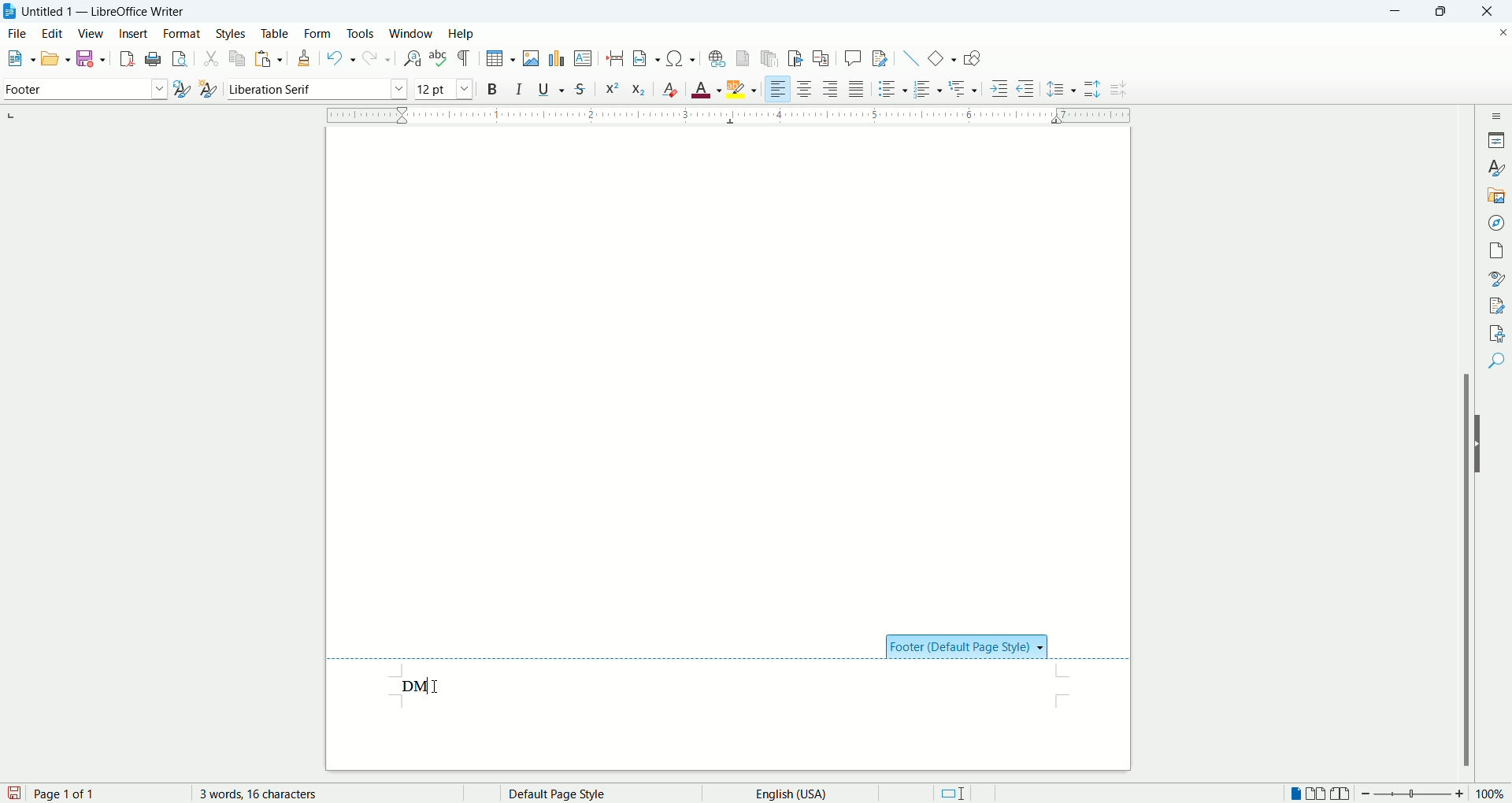  I want to click on paragraph style, so click(82, 89).